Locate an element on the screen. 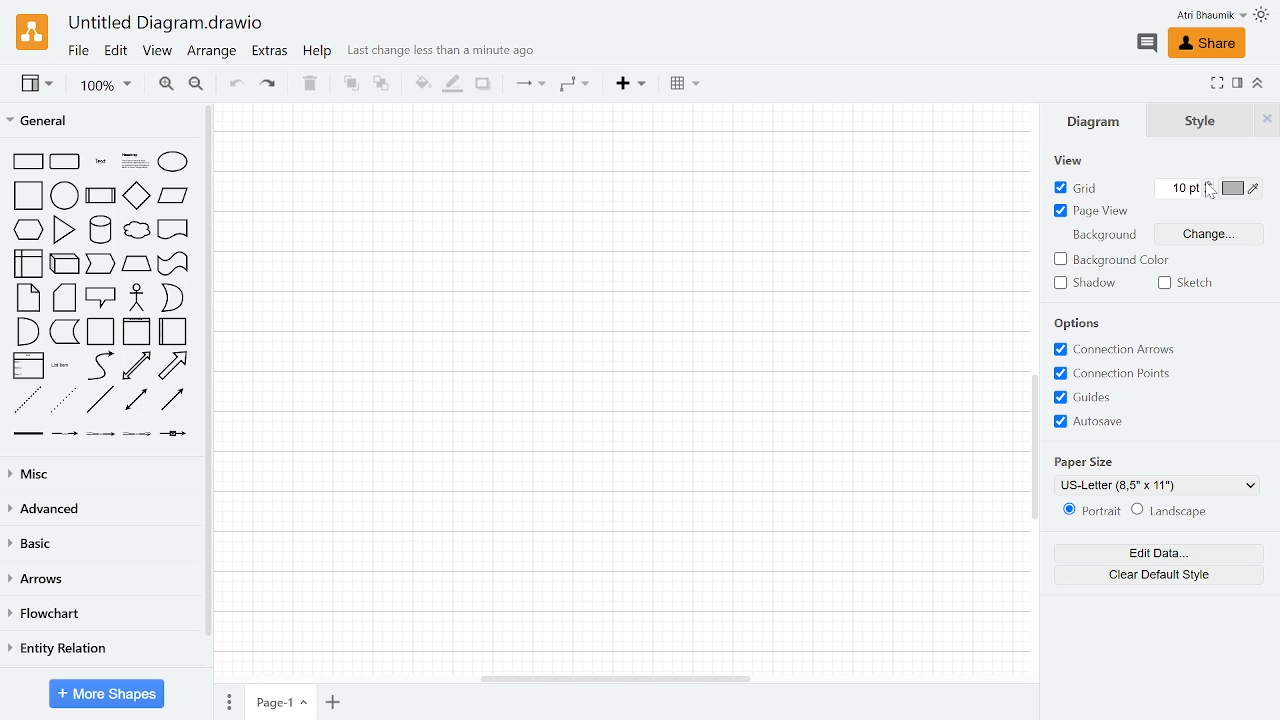  Close is located at coordinates (1266, 121).